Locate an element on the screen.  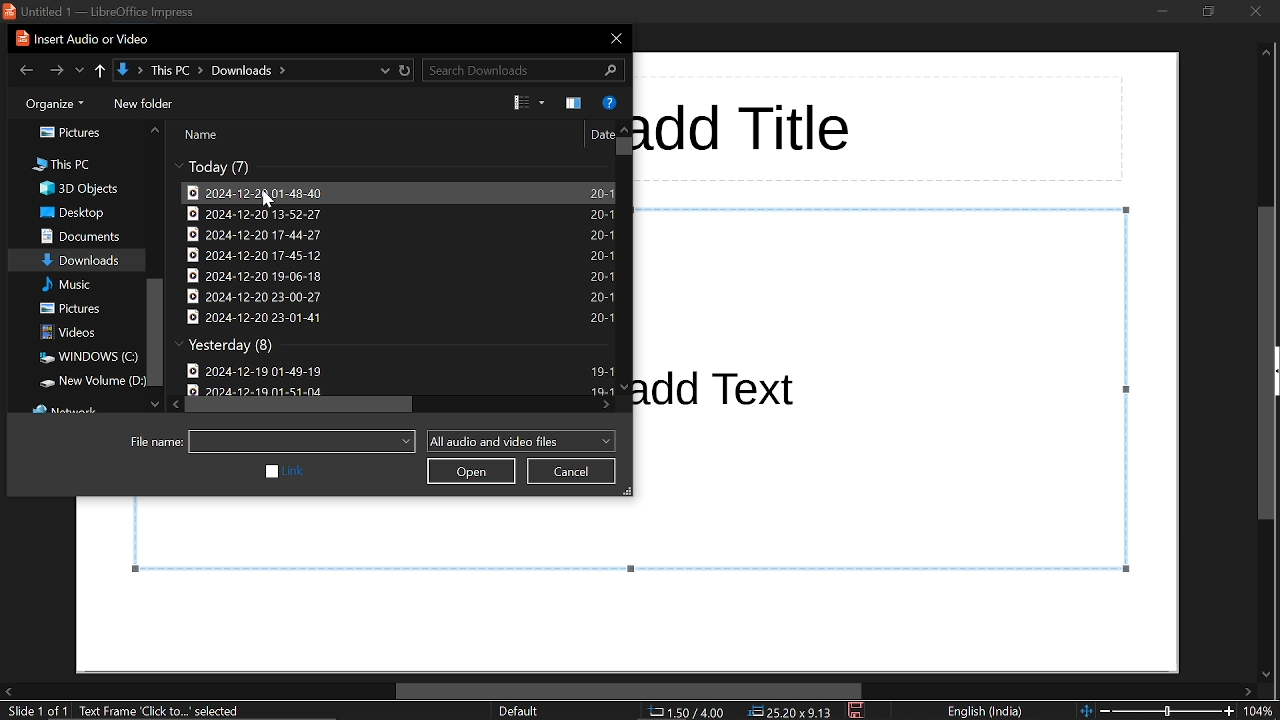
restore down is located at coordinates (1206, 13).